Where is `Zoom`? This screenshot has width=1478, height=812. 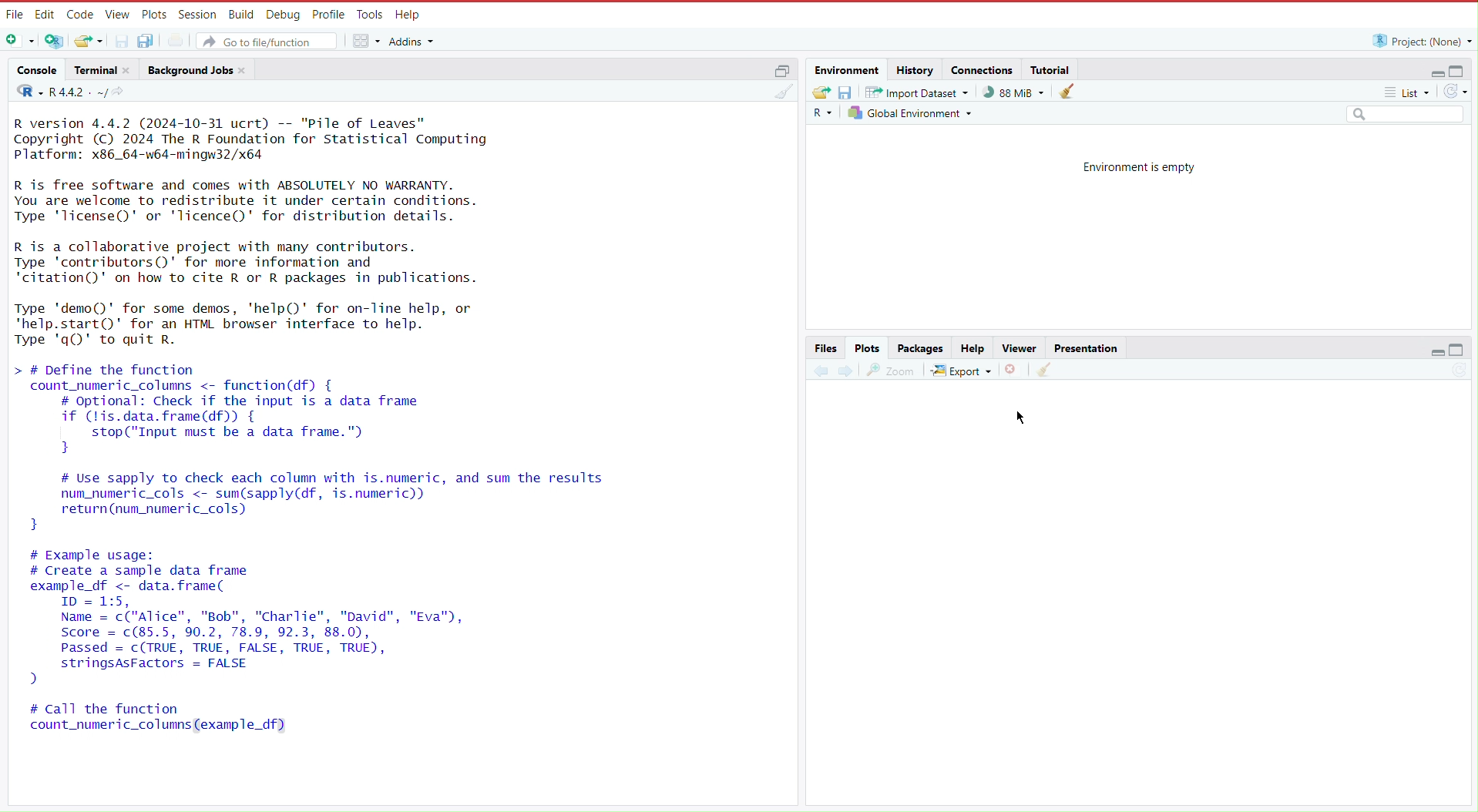
Zoom is located at coordinates (892, 367).